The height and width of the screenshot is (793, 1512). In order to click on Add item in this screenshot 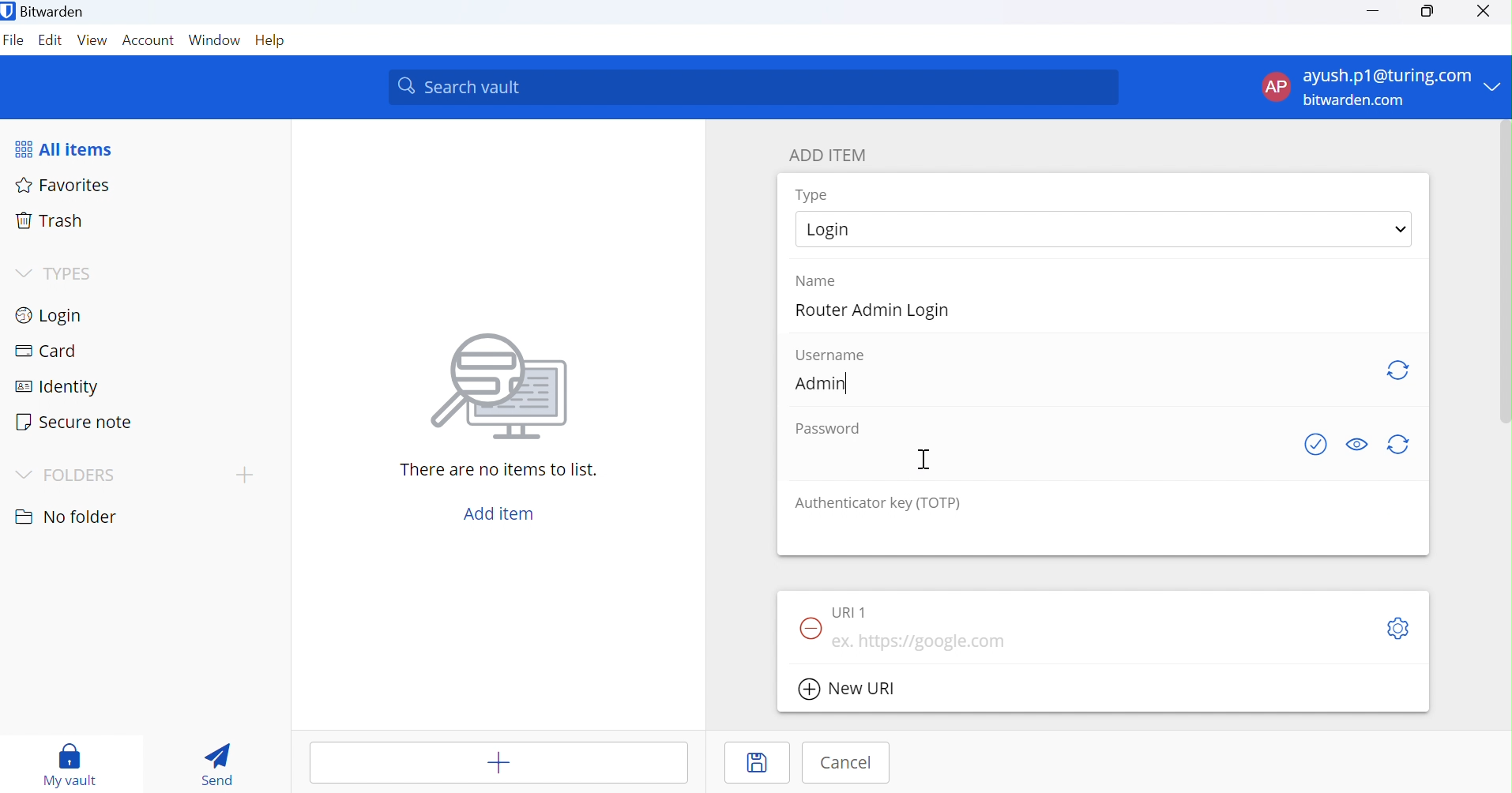, I will do `click(498, 513)`.